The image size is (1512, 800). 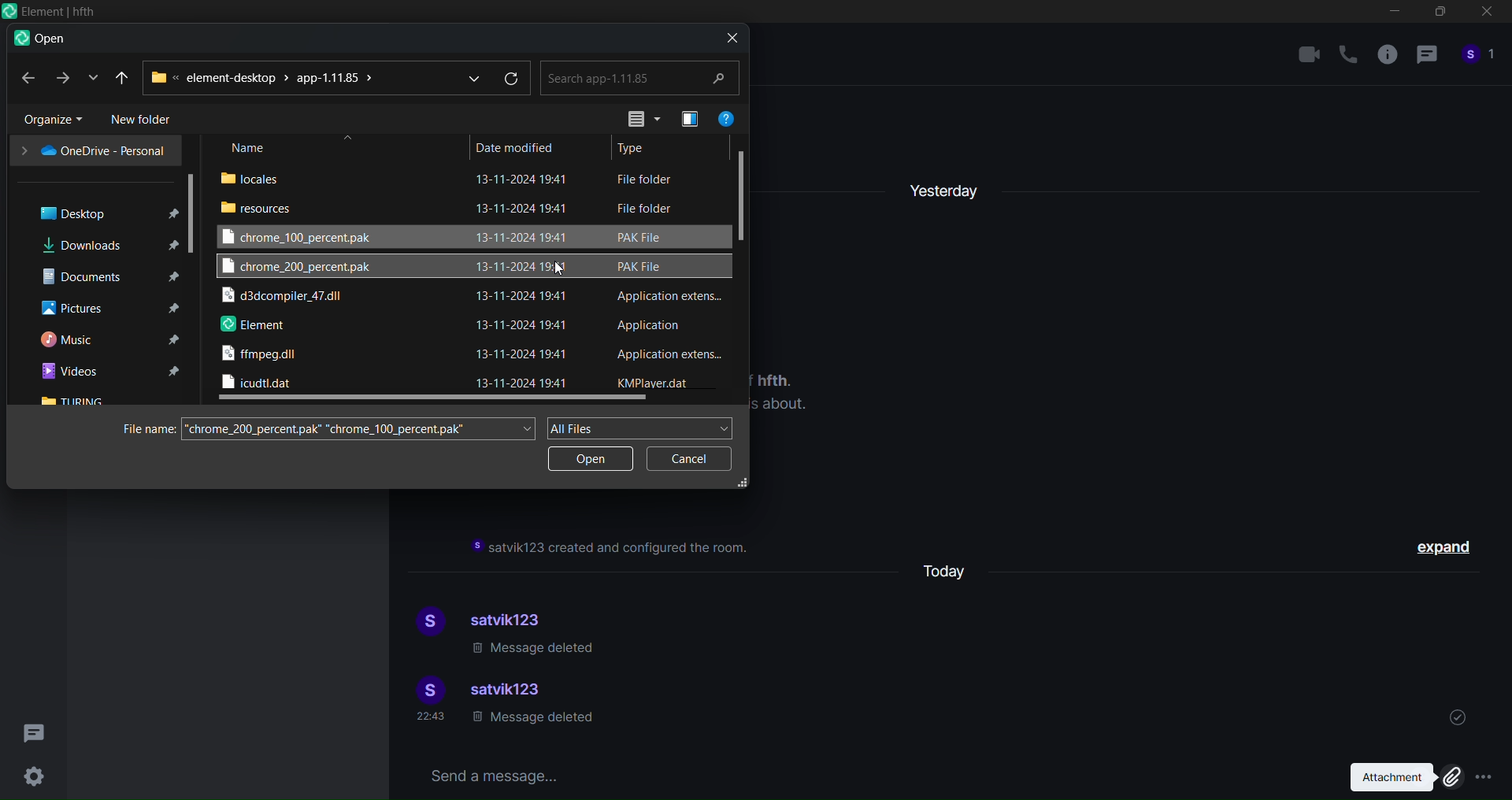 I want to click on resize dialog, so click(x=743, y=483).